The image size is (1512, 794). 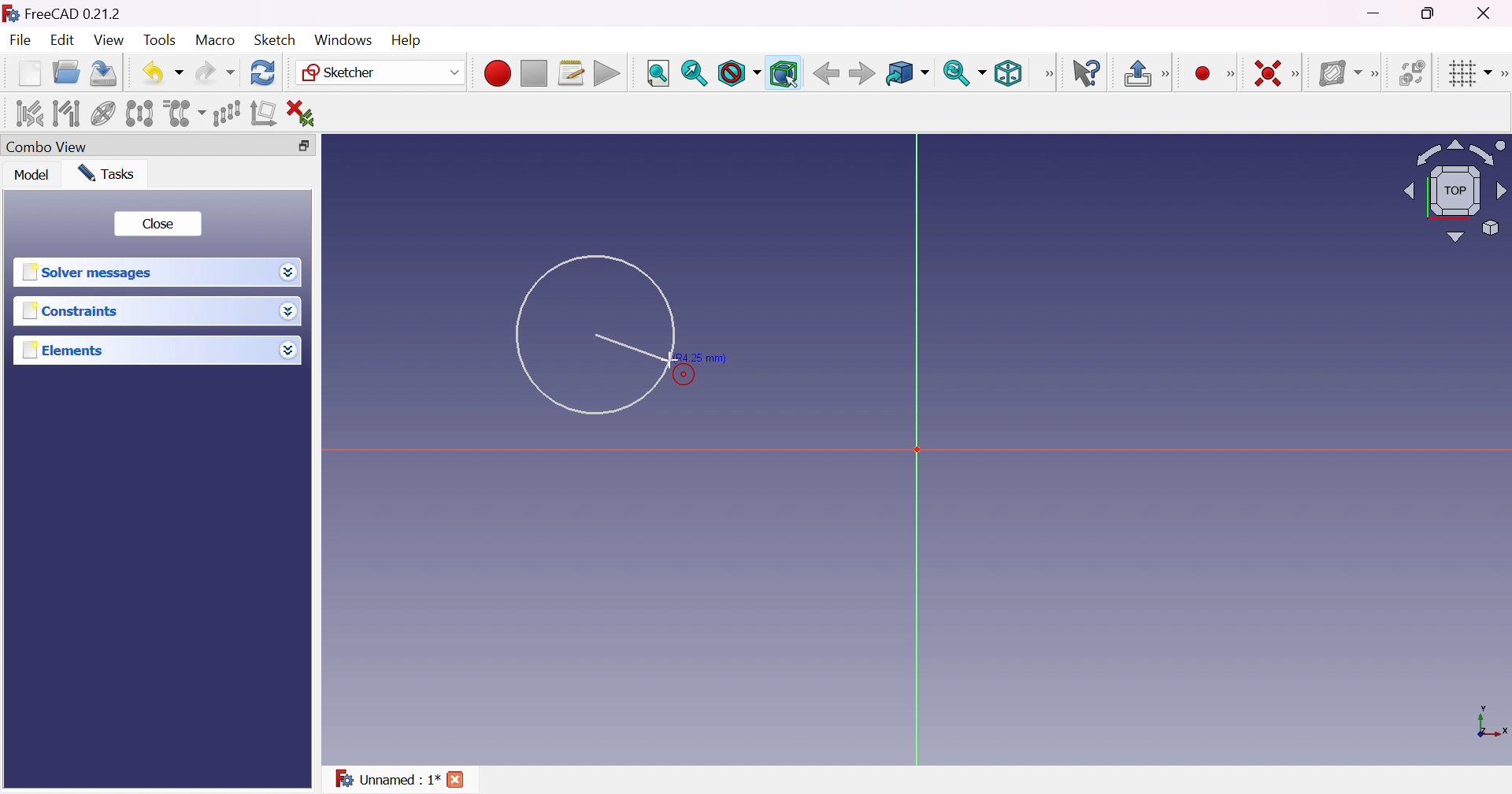 What do you see at coordinates (1168, 72) in the screenshot?
I see `[Sketcher edit model]` at bounding box center [1168, 72].